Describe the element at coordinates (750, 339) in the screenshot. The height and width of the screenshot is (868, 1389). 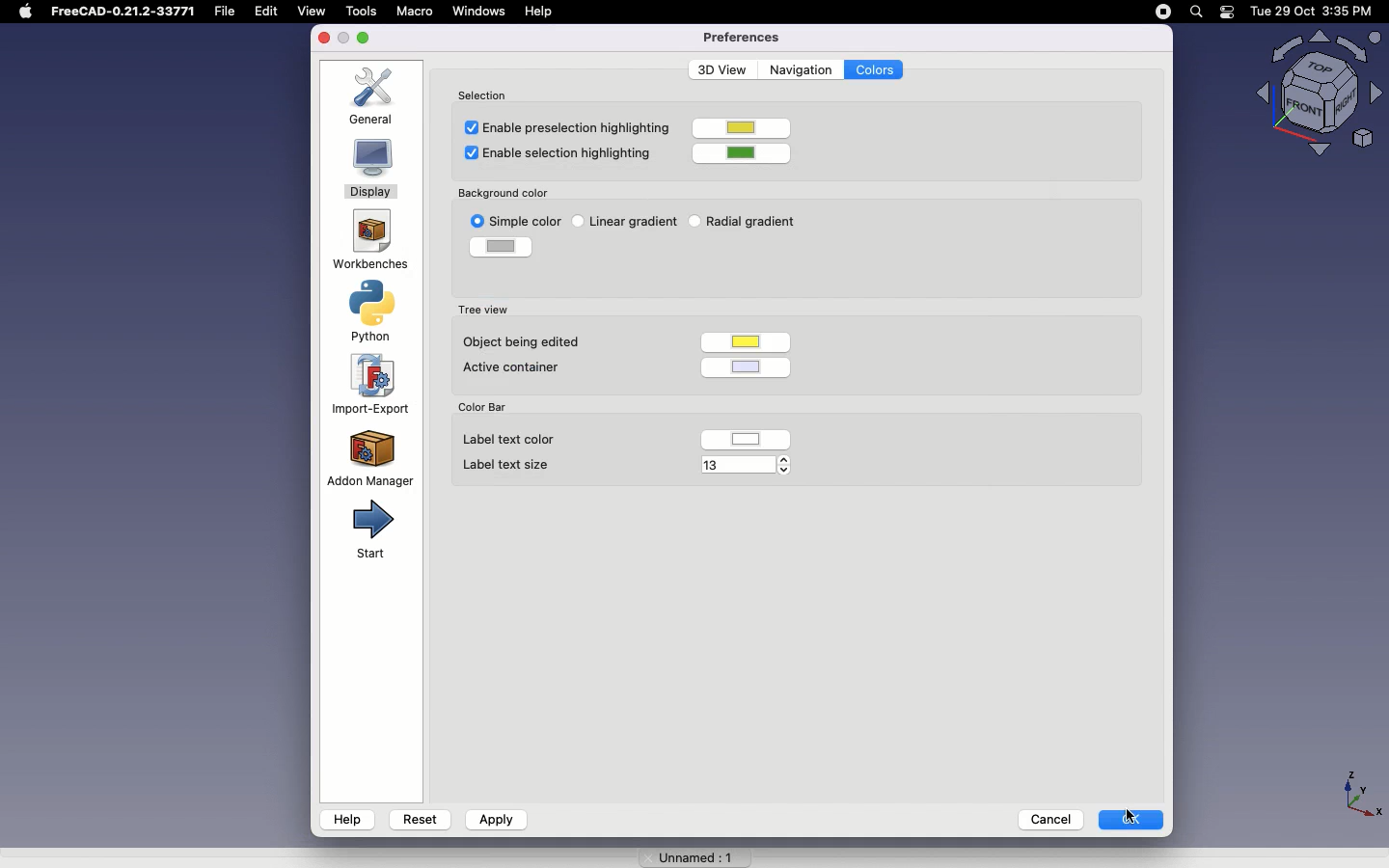
I see `color` at that location.